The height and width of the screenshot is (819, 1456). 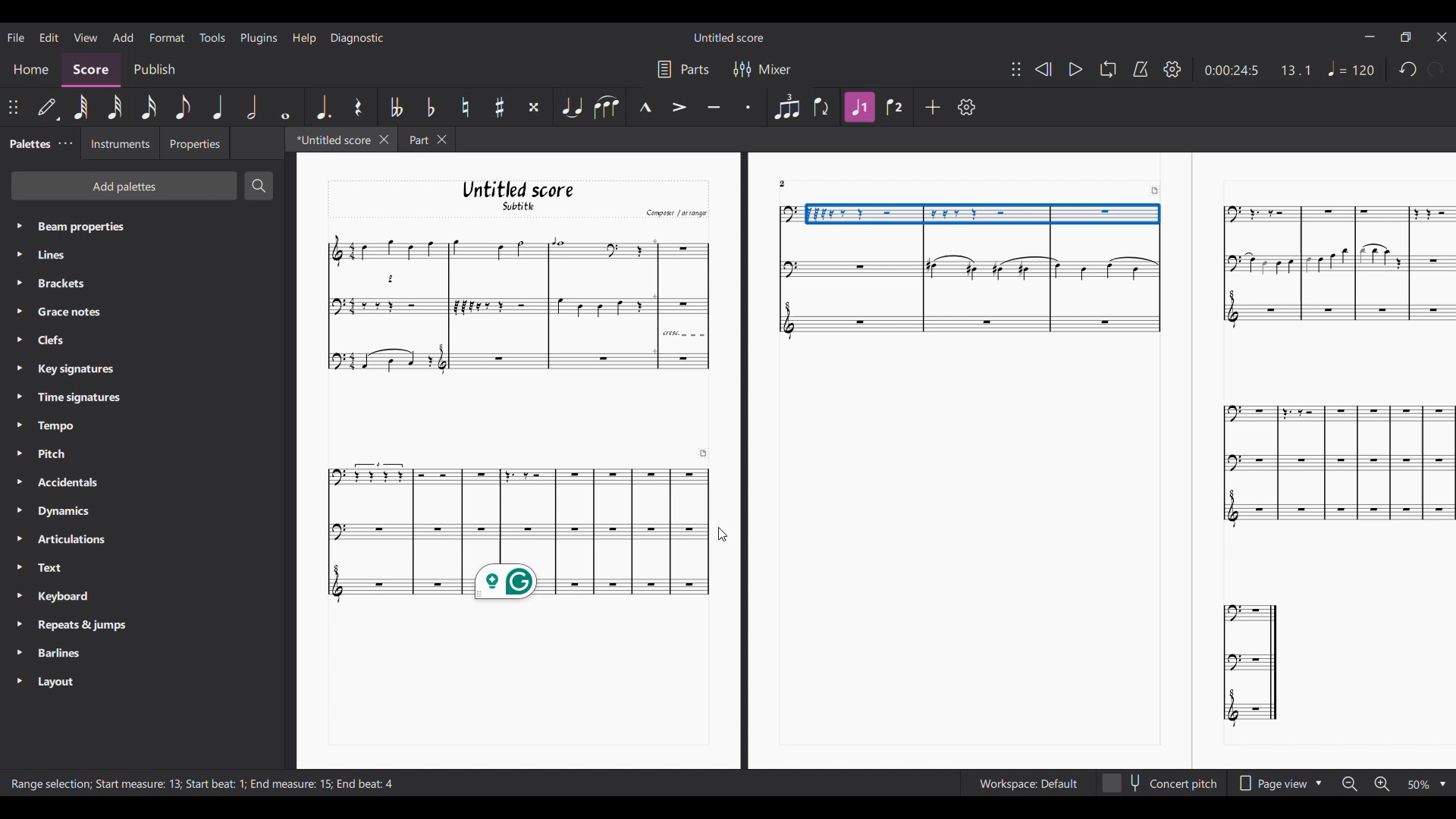 What do you see at coordinates (323, 106) in the screenshot?
I see `Augmentation dot` at bounding box center [323, 106].